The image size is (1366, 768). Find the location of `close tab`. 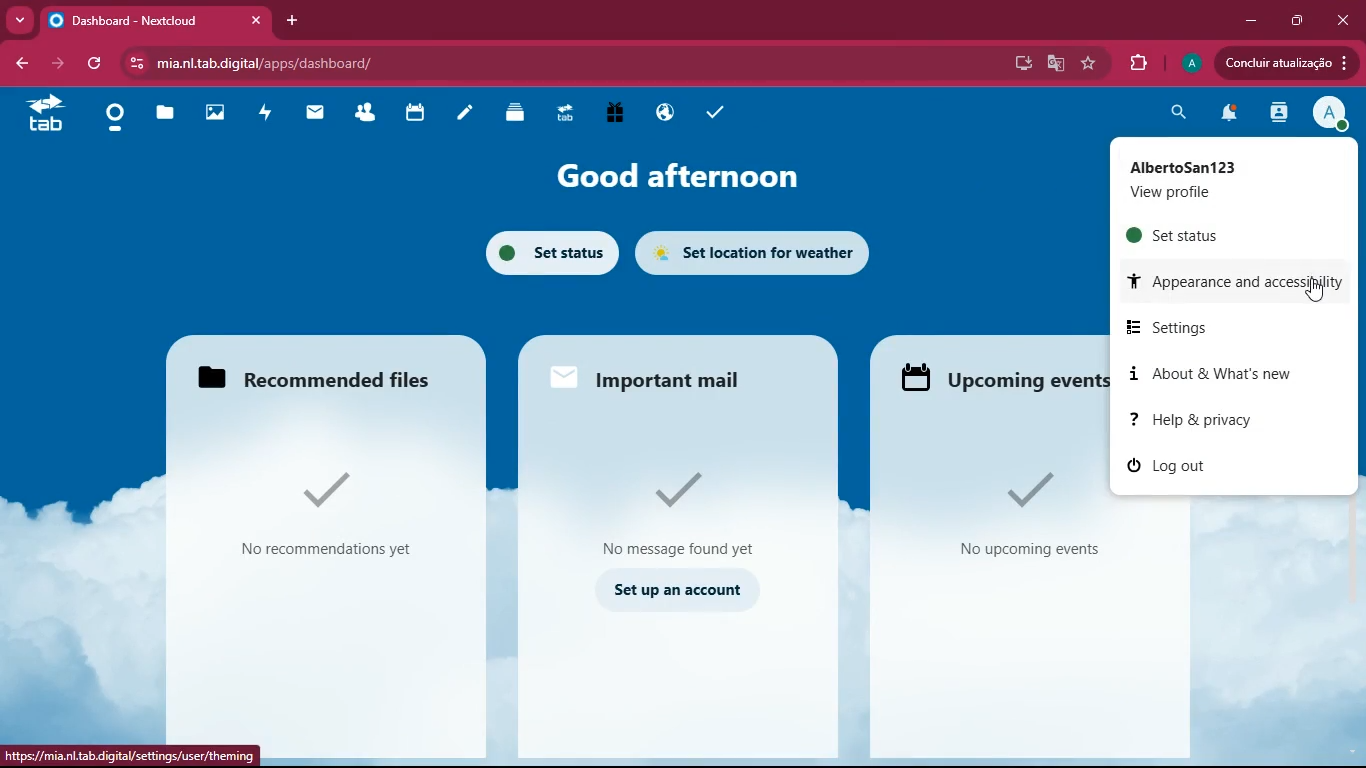

close tab is located at coordinates (257, 19).